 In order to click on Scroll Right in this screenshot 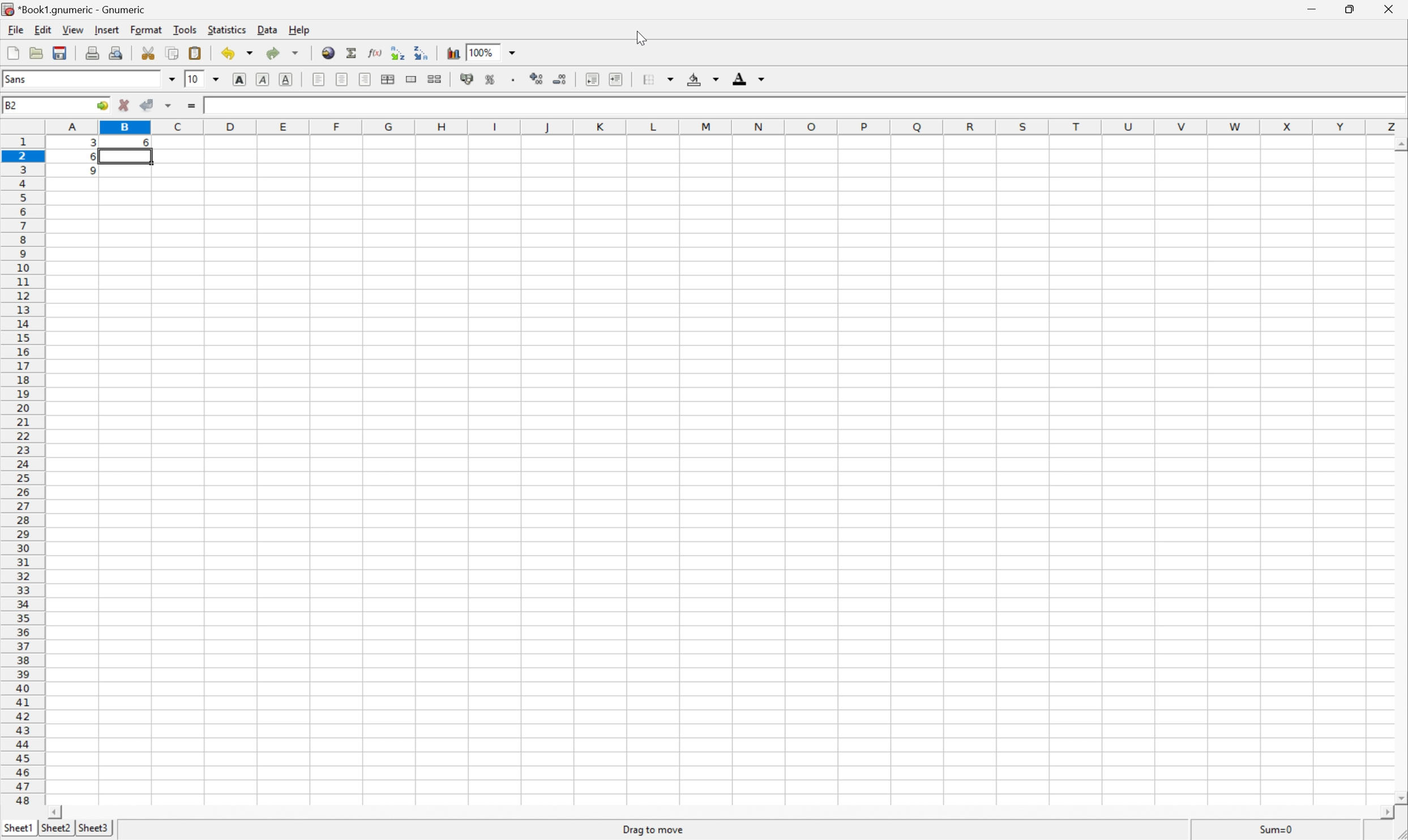, I will do `click(1383, 813)`.